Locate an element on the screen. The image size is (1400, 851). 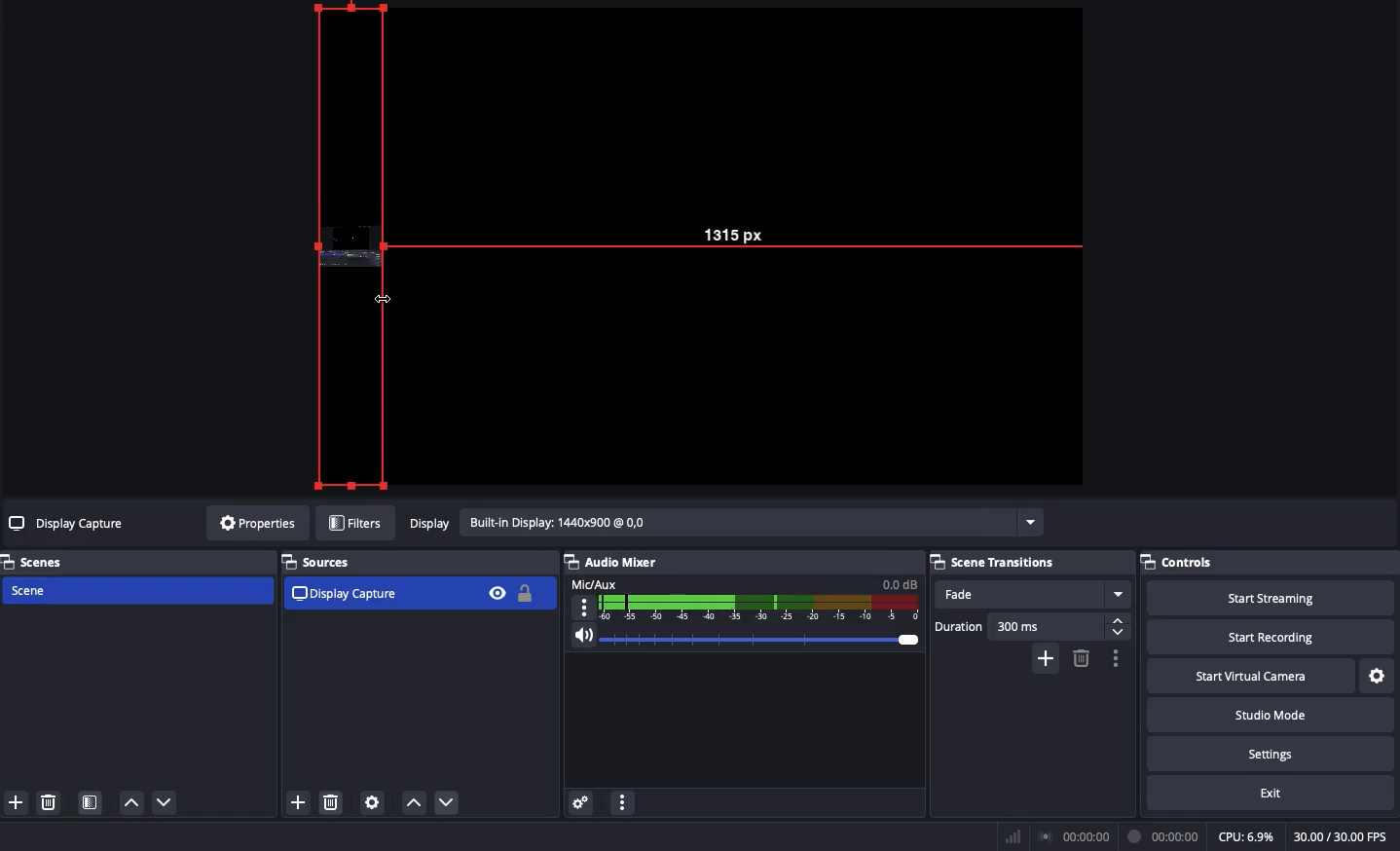
Start virtual camera is located at coordinates (1253, 674).